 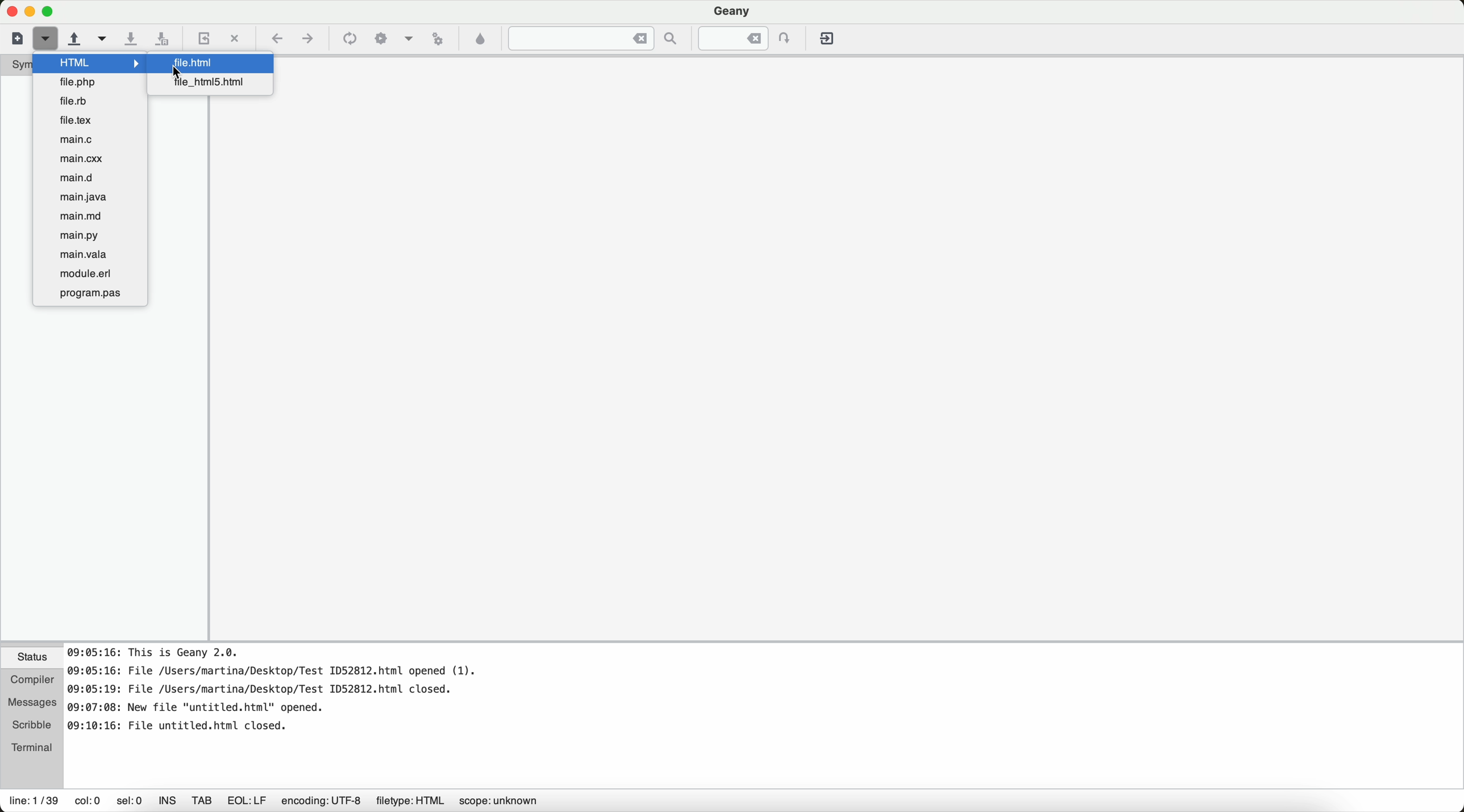 I want to click on navigate foward, so click(x=308, y=38).